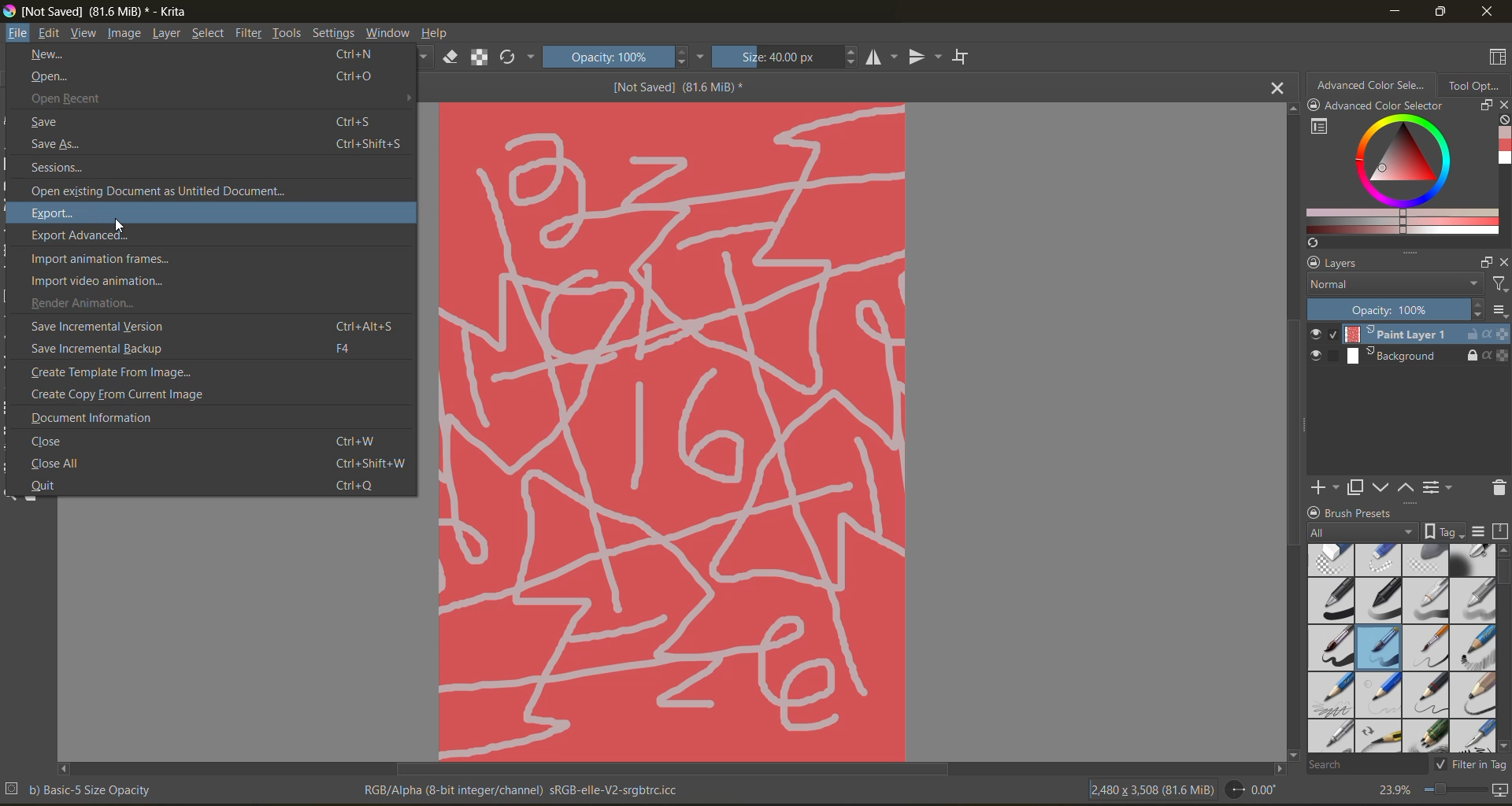 This screenshot has width=1512, height=806. What do you see at coordinates (214, 462) in the screenshot?
I see `close all` at bounding box center [214, 462].